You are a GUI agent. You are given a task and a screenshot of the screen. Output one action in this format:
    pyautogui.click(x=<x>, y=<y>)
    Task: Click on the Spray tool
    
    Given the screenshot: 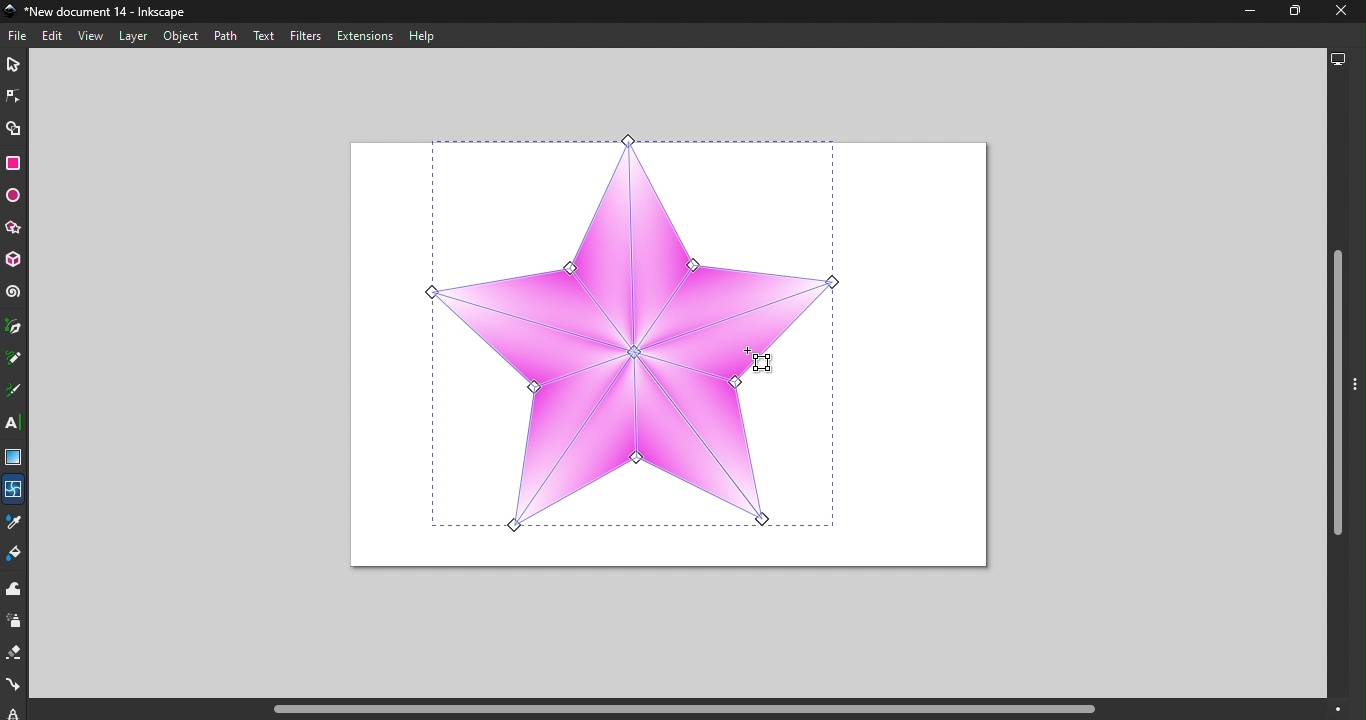 What is the action you would take?
    pyautogui.click(x=15, y=621)
    